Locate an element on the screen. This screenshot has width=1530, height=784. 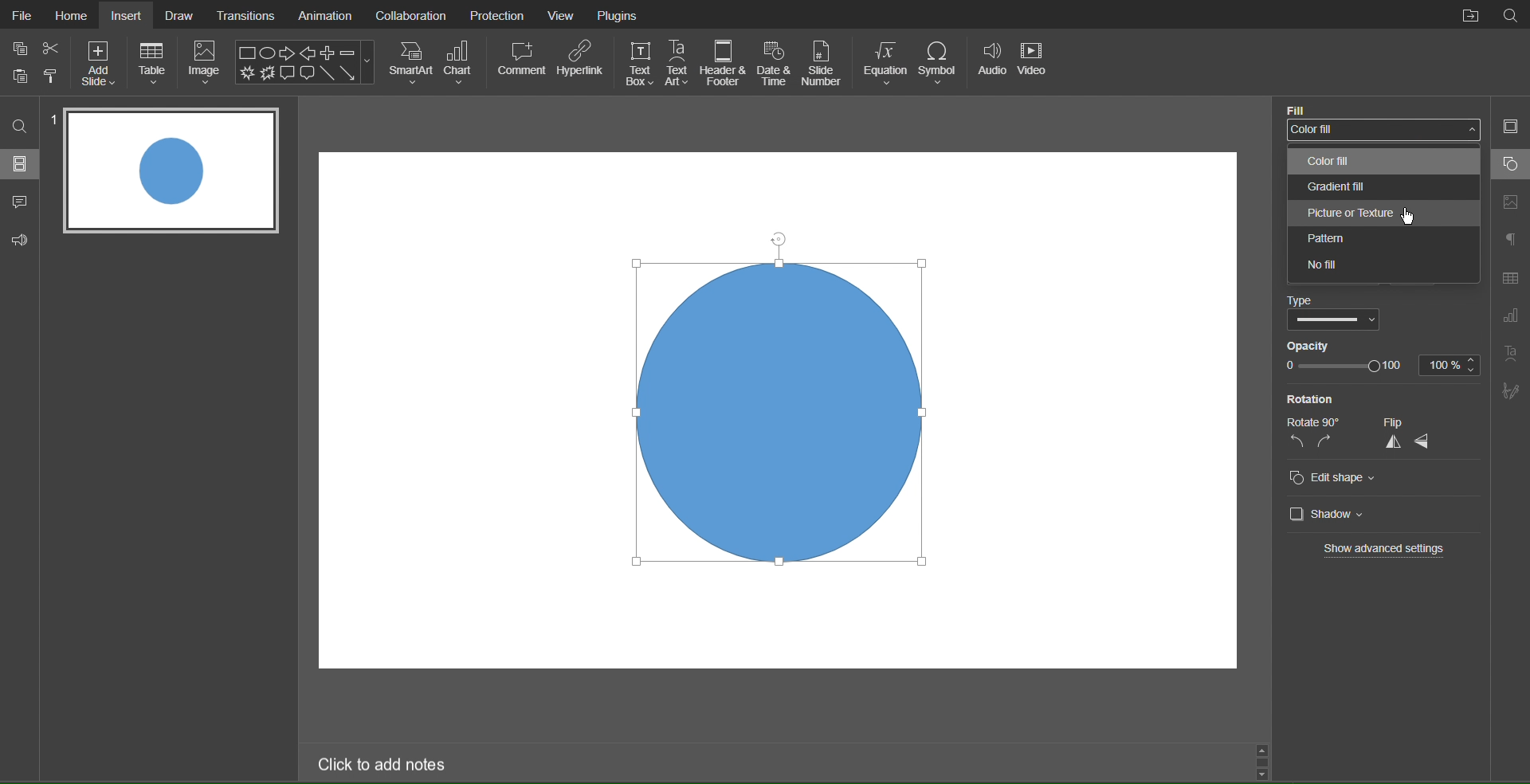
cursor is located at coordinates (1407, 216).